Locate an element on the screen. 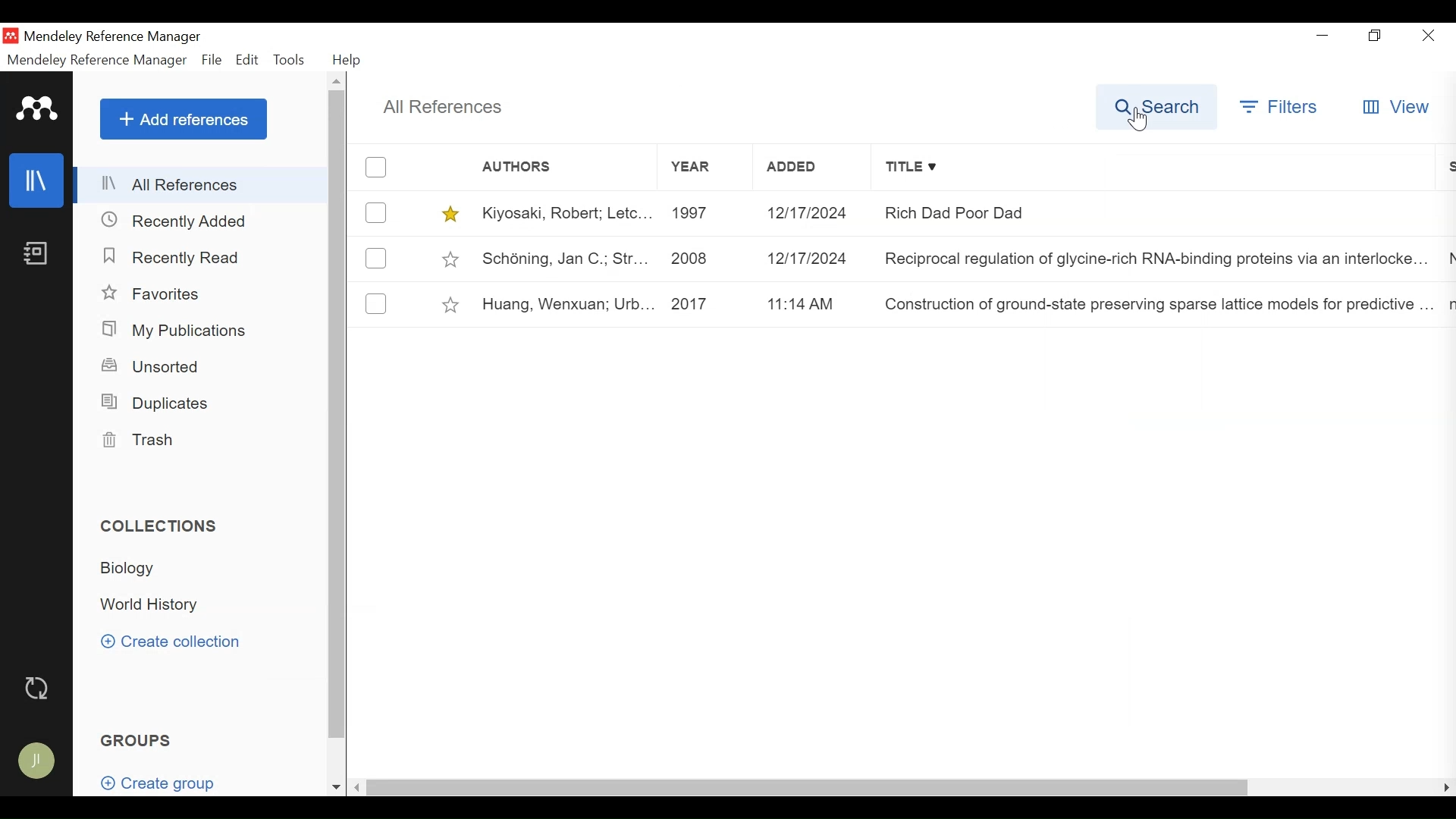 The image size is (1456, 819). Kiyosaki, Robert is located at coordinates (563, 212).